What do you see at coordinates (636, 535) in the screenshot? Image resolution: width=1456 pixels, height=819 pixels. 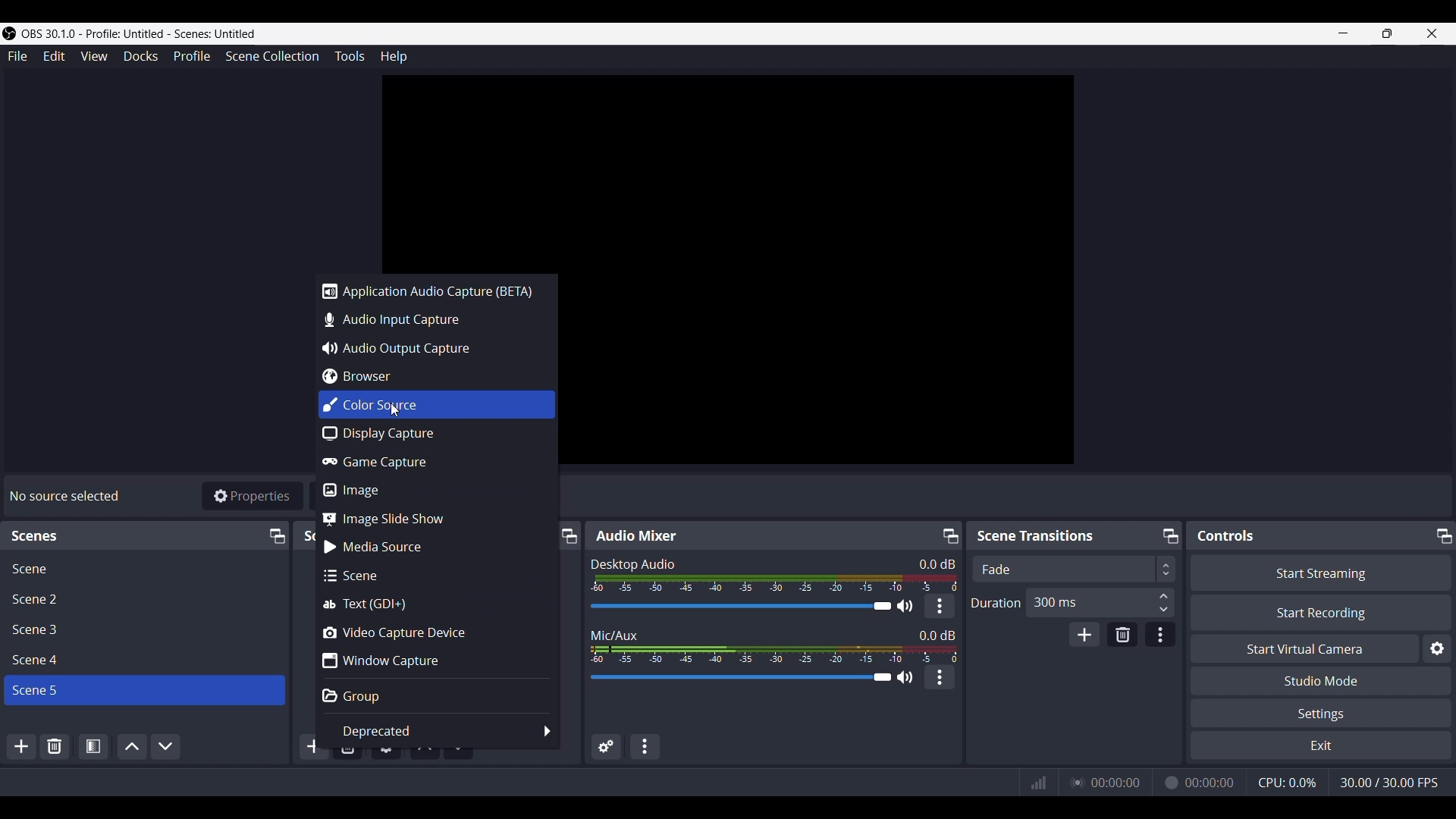 I see `Text` at bounding box center [636, 535].